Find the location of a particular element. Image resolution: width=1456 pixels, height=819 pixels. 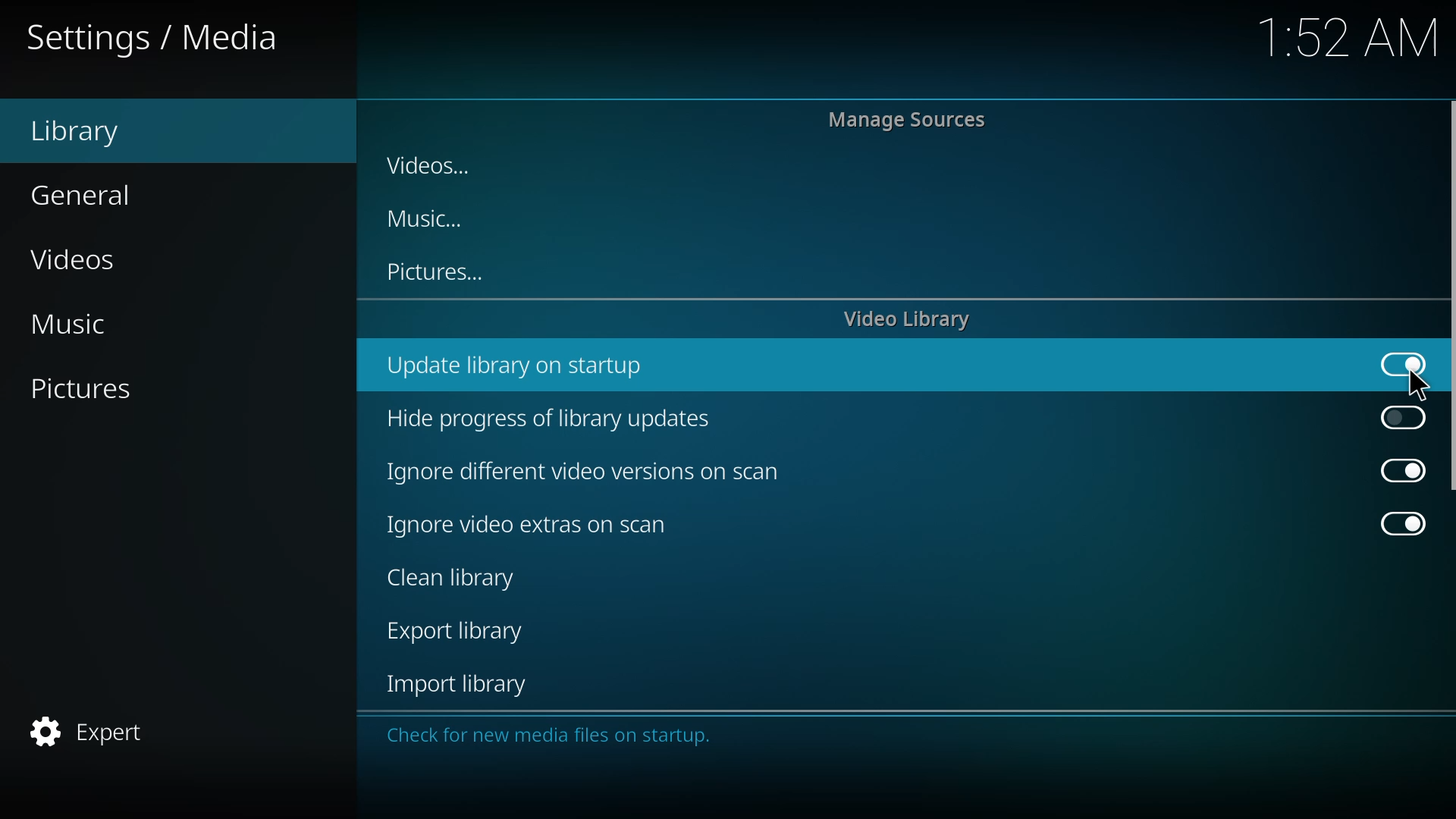

time is located at coordinates (1350, 35).